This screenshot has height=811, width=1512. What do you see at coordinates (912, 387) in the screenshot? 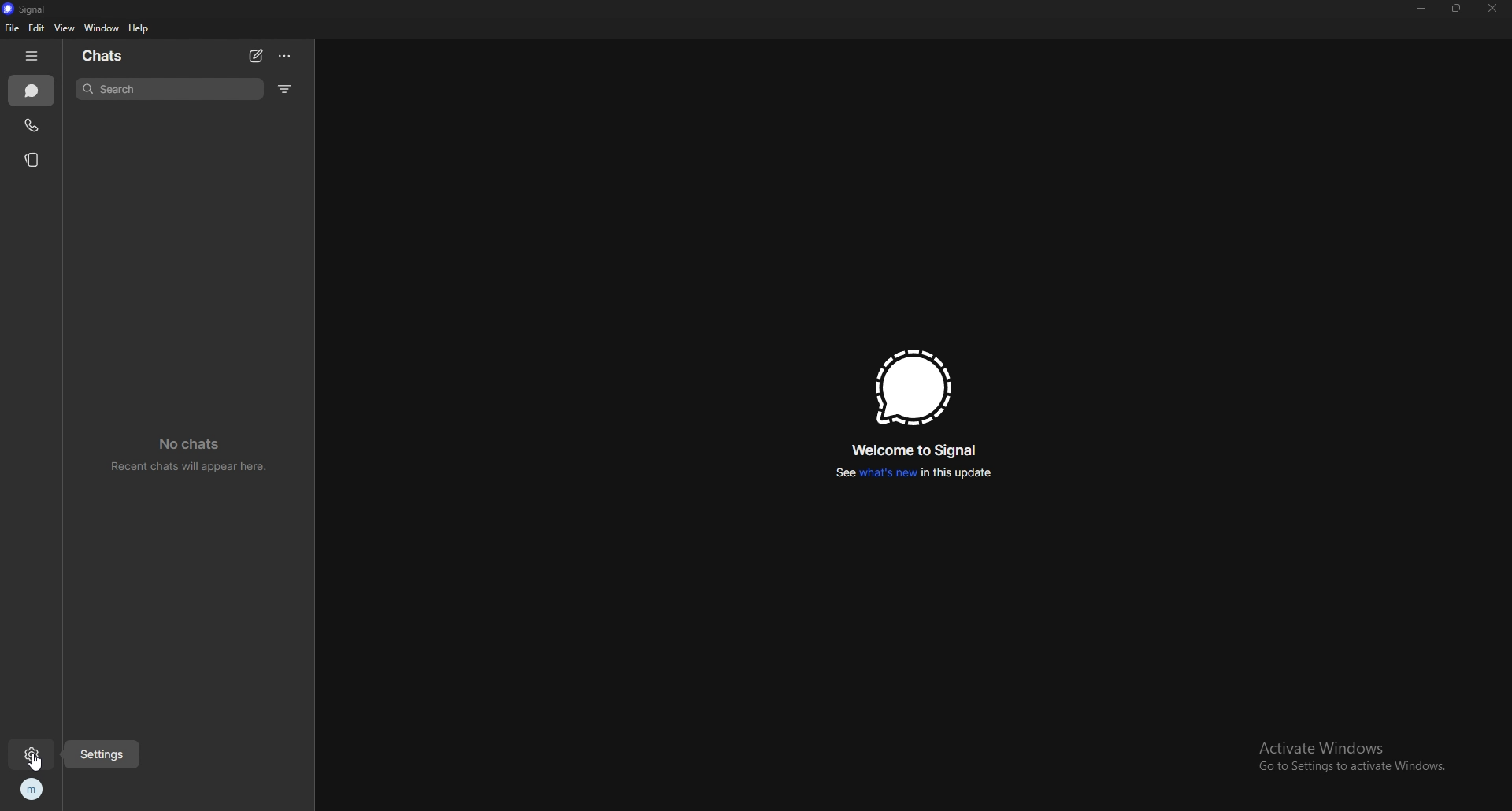
I see `signal logo` at bounding box center [912, 387].